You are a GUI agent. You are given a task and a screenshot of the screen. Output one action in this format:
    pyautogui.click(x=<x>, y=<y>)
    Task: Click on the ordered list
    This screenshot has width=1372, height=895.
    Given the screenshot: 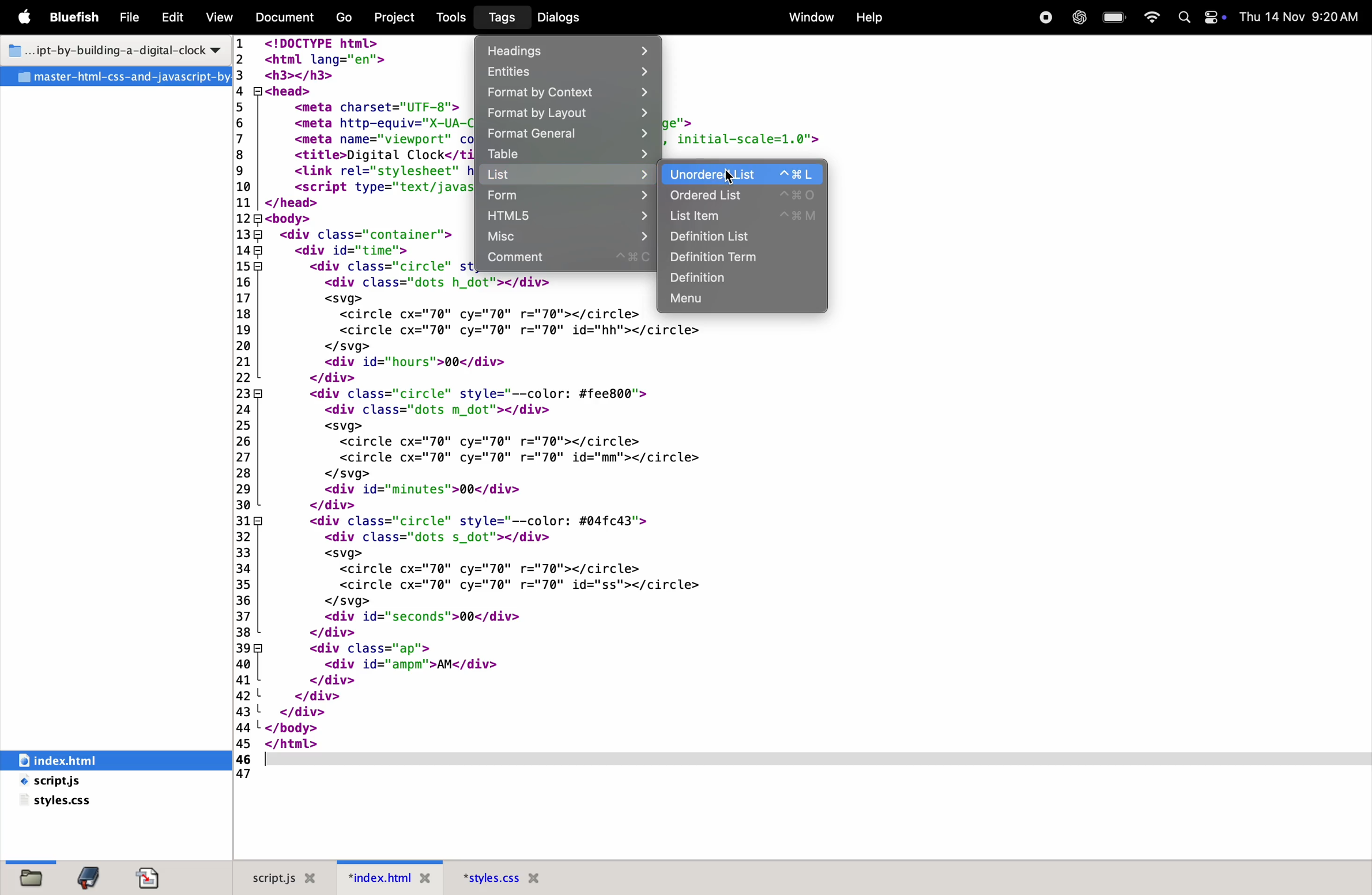 What is the action you would take?
    pyautogui.click(x=742, y=194)
    